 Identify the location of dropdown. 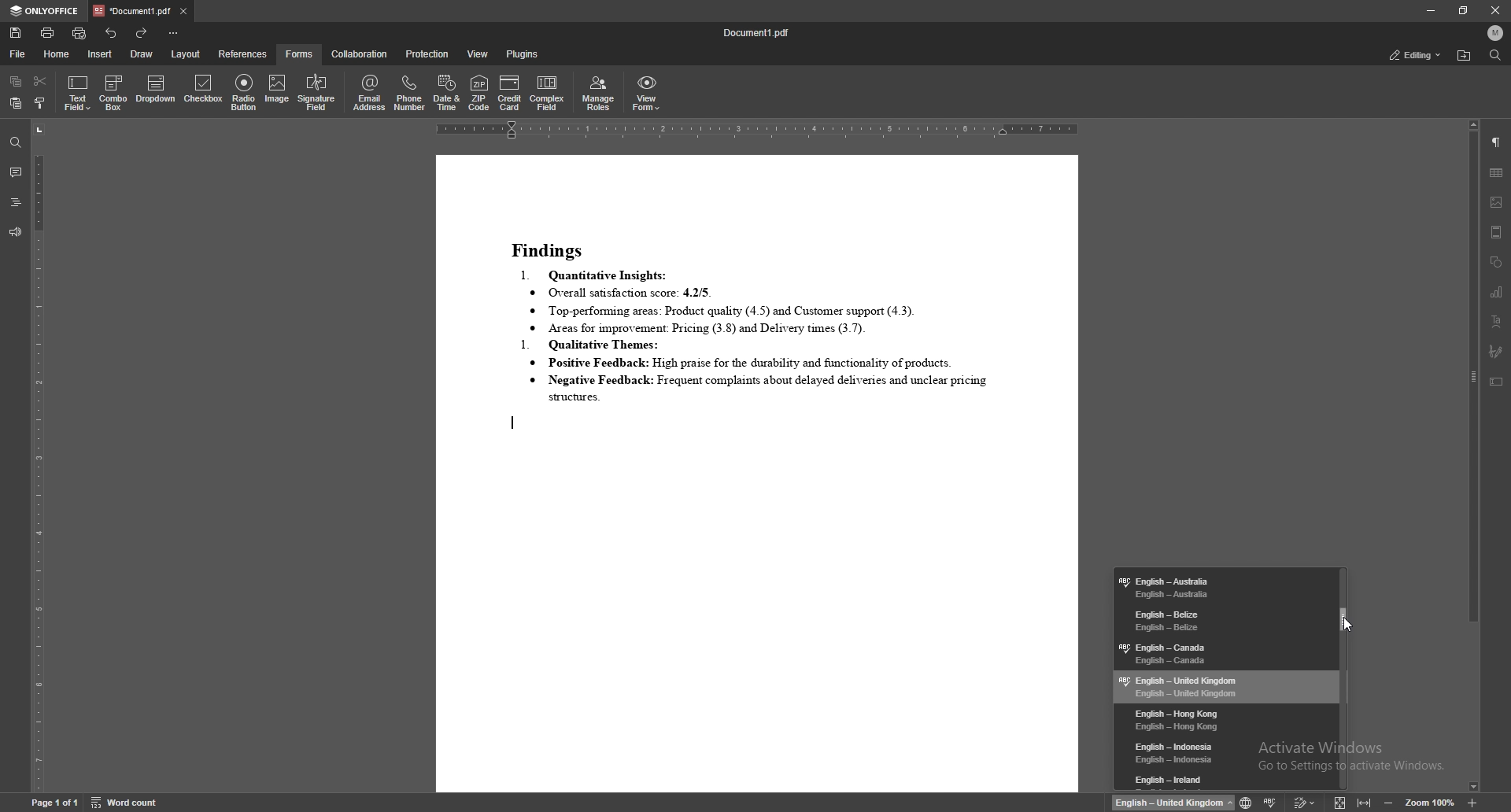
(156, 90).